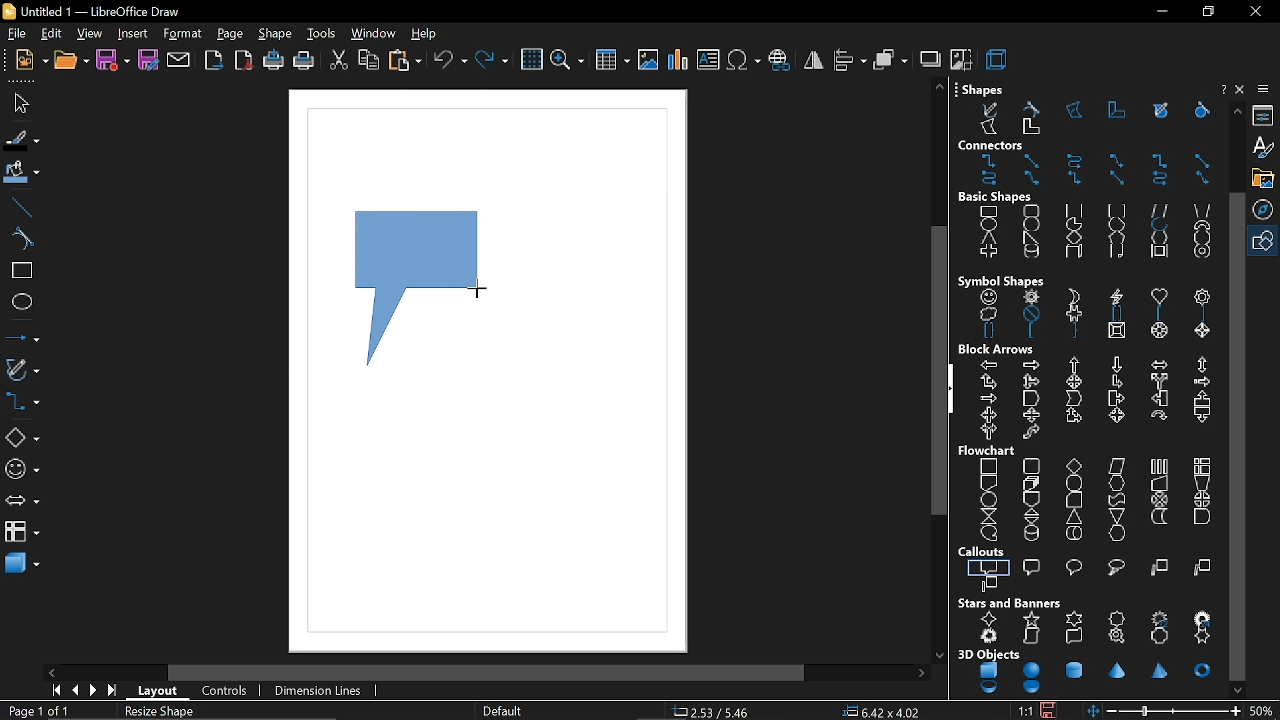 The width and height of the screenshot is (1280, 720). Describe the element at coordinates (1159, 398) in the screenshot. I see `left arrow callout` at that location.